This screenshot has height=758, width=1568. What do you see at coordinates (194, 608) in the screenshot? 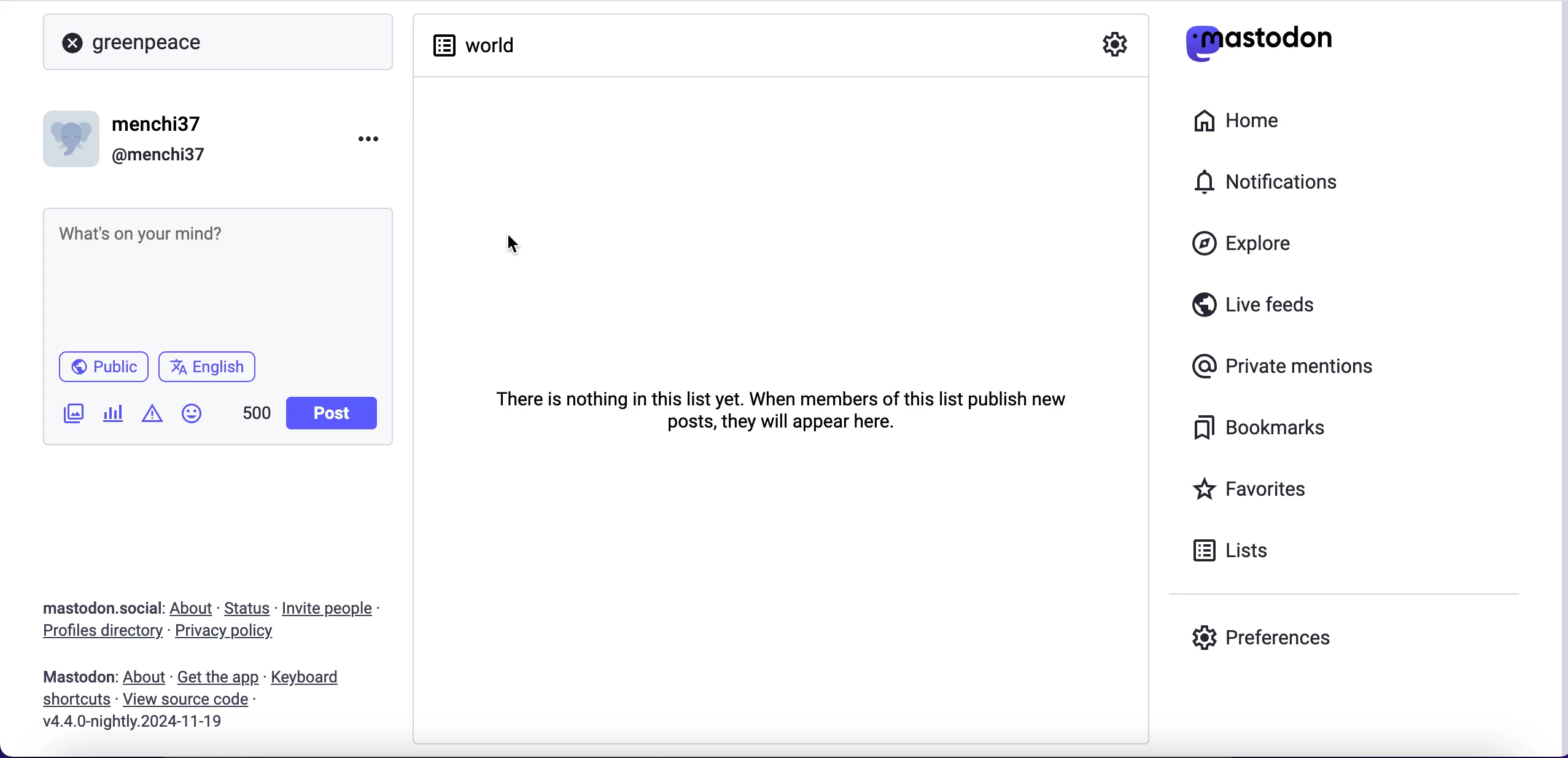
I see `about` at bounding box center [194, 608].